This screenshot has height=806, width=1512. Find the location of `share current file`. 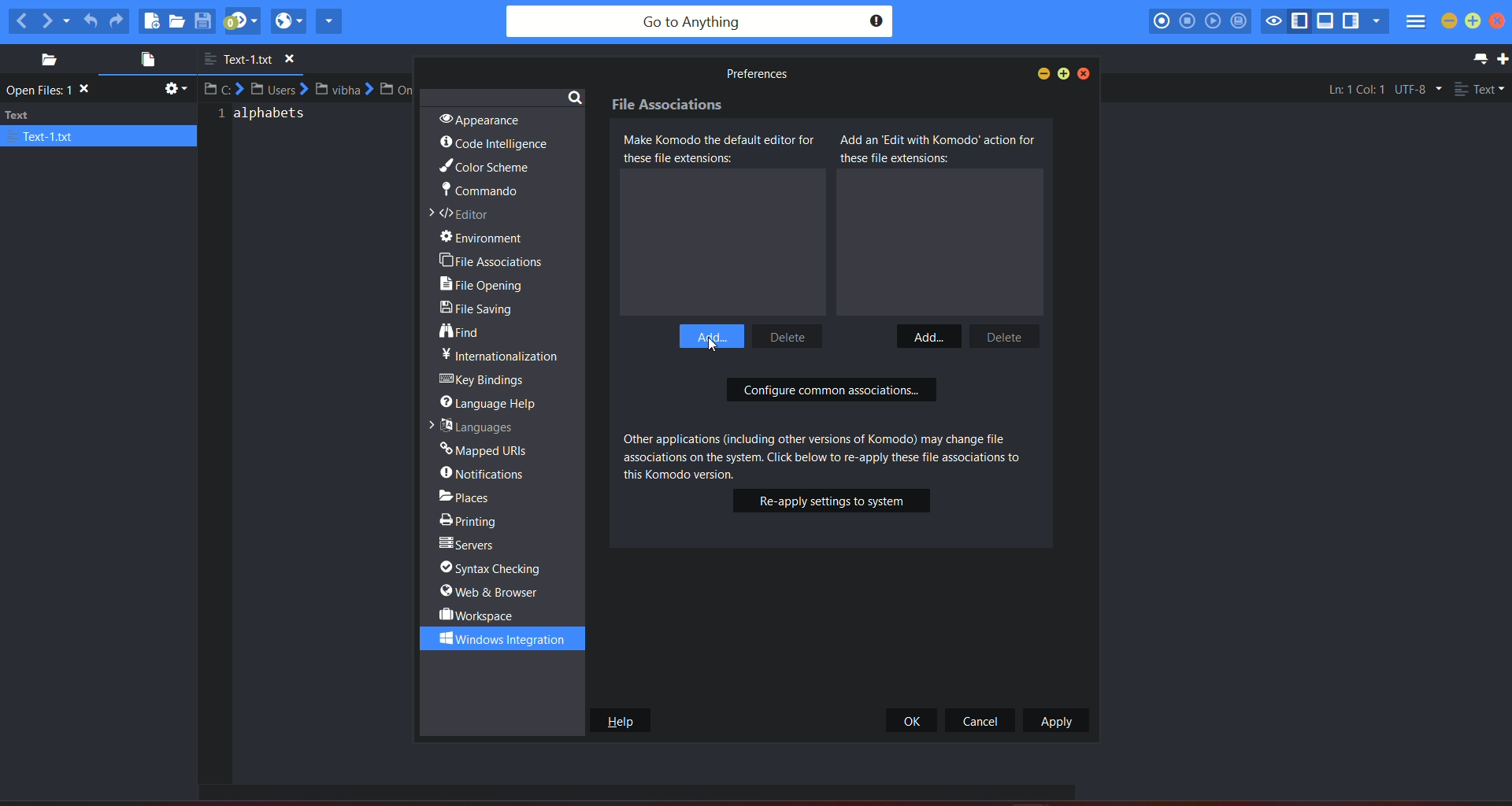

share current file is located at coordinates (329, 20).